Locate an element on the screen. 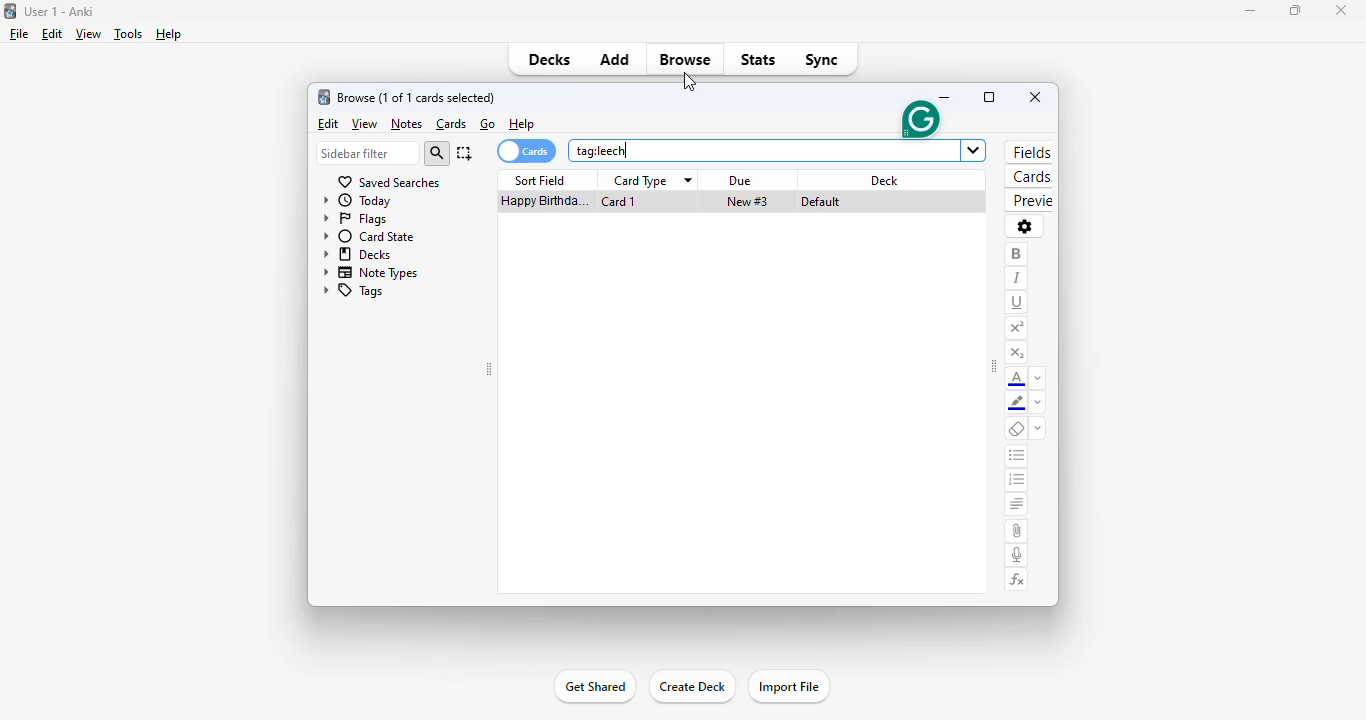 The image size is (1366, 720). note types is located at coordinates (371, 273).